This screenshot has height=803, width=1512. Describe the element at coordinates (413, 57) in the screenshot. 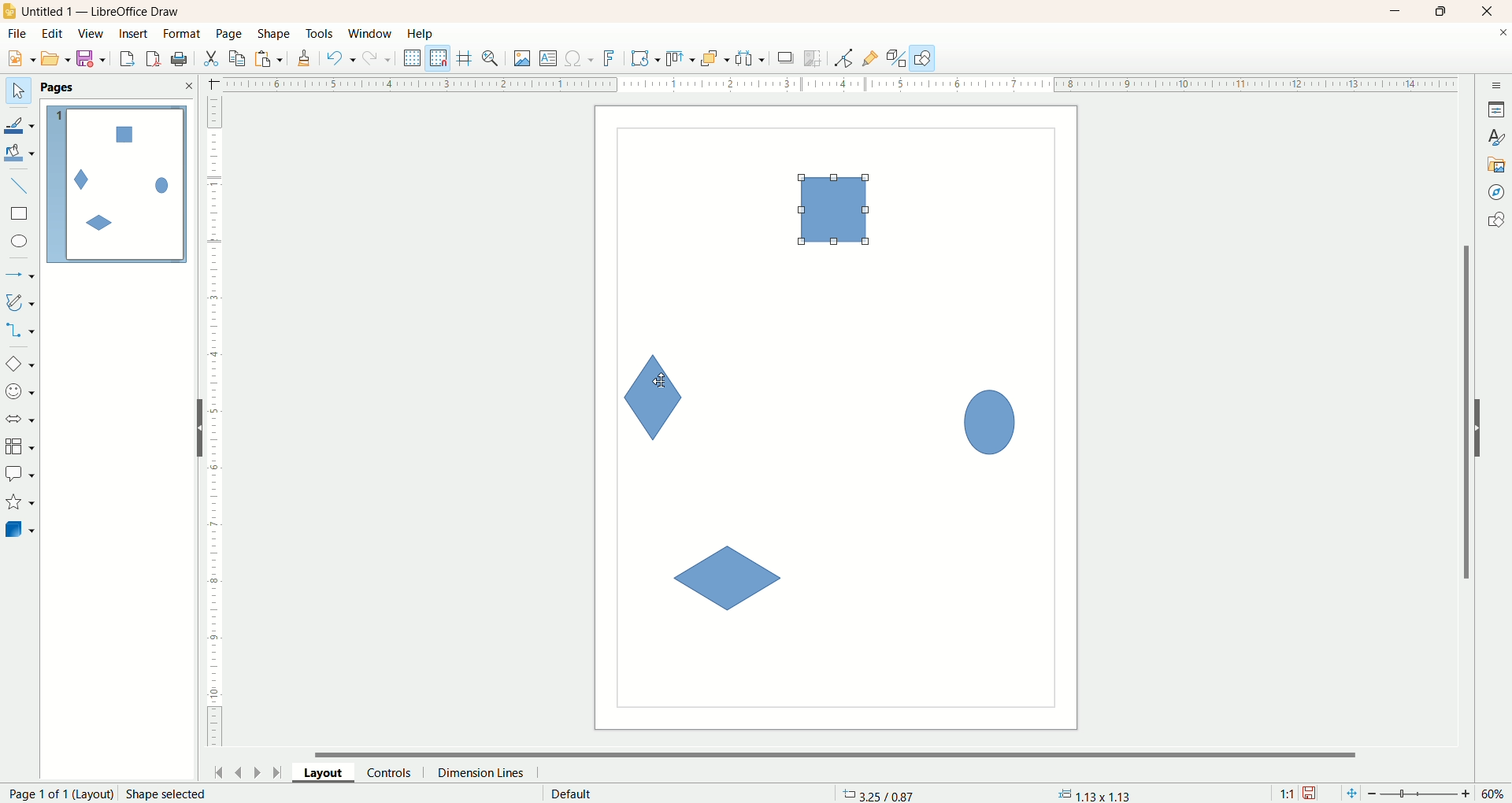

I see `display grid` at that location.